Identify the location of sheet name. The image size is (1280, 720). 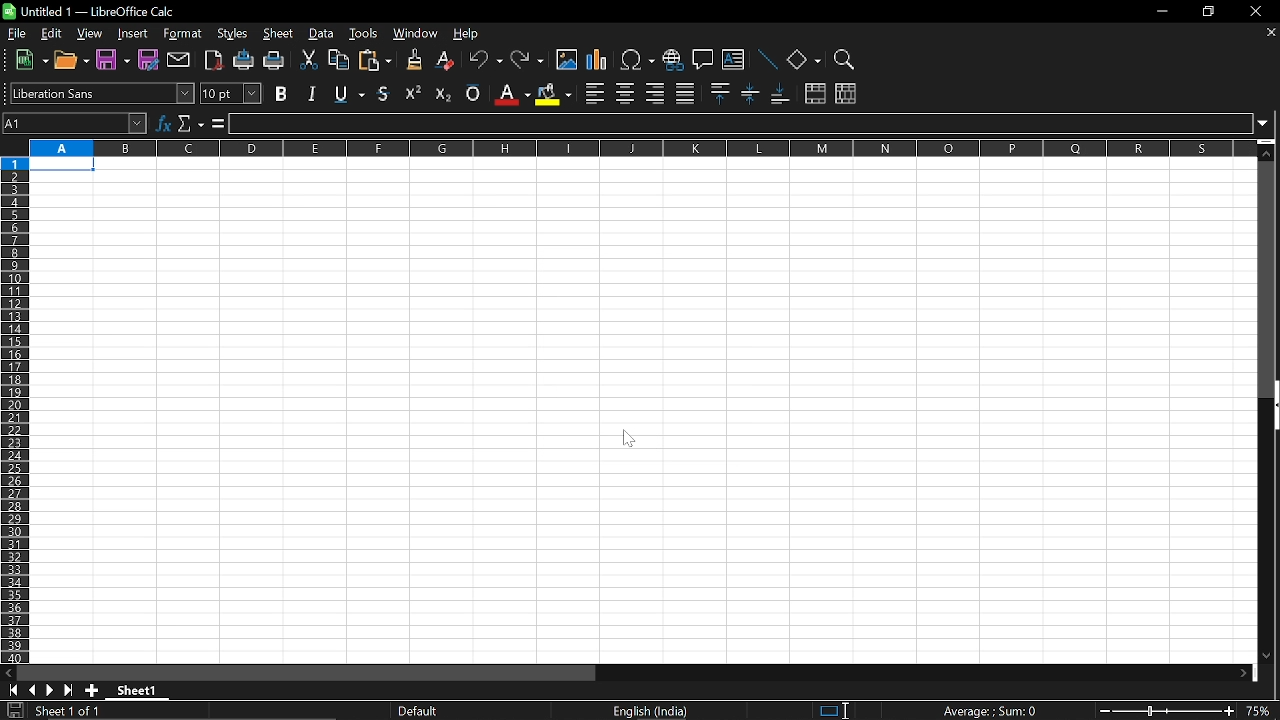
(142, 690).